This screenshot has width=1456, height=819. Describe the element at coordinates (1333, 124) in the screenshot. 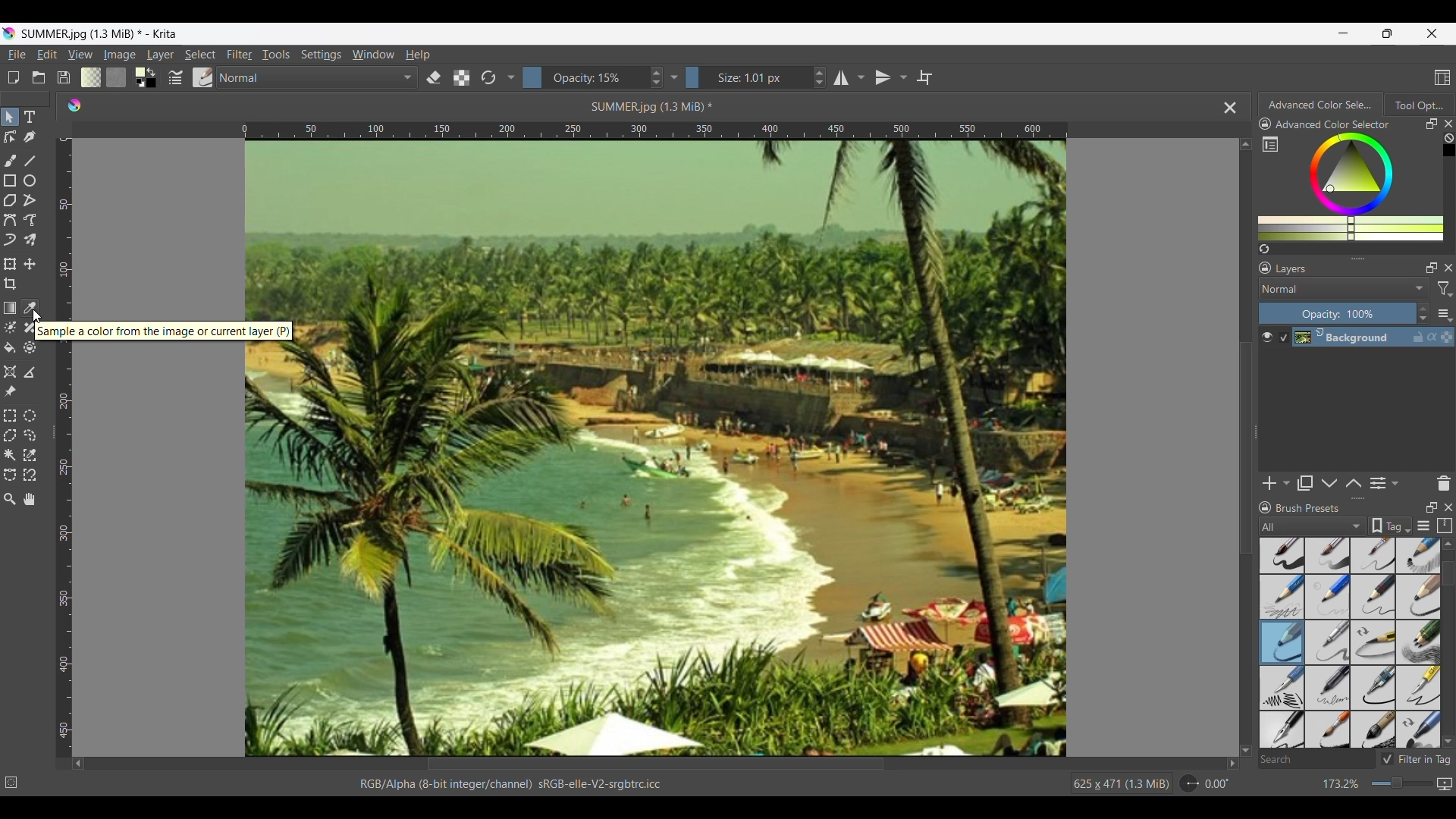

I see `Advanced Color Selector` at that location.